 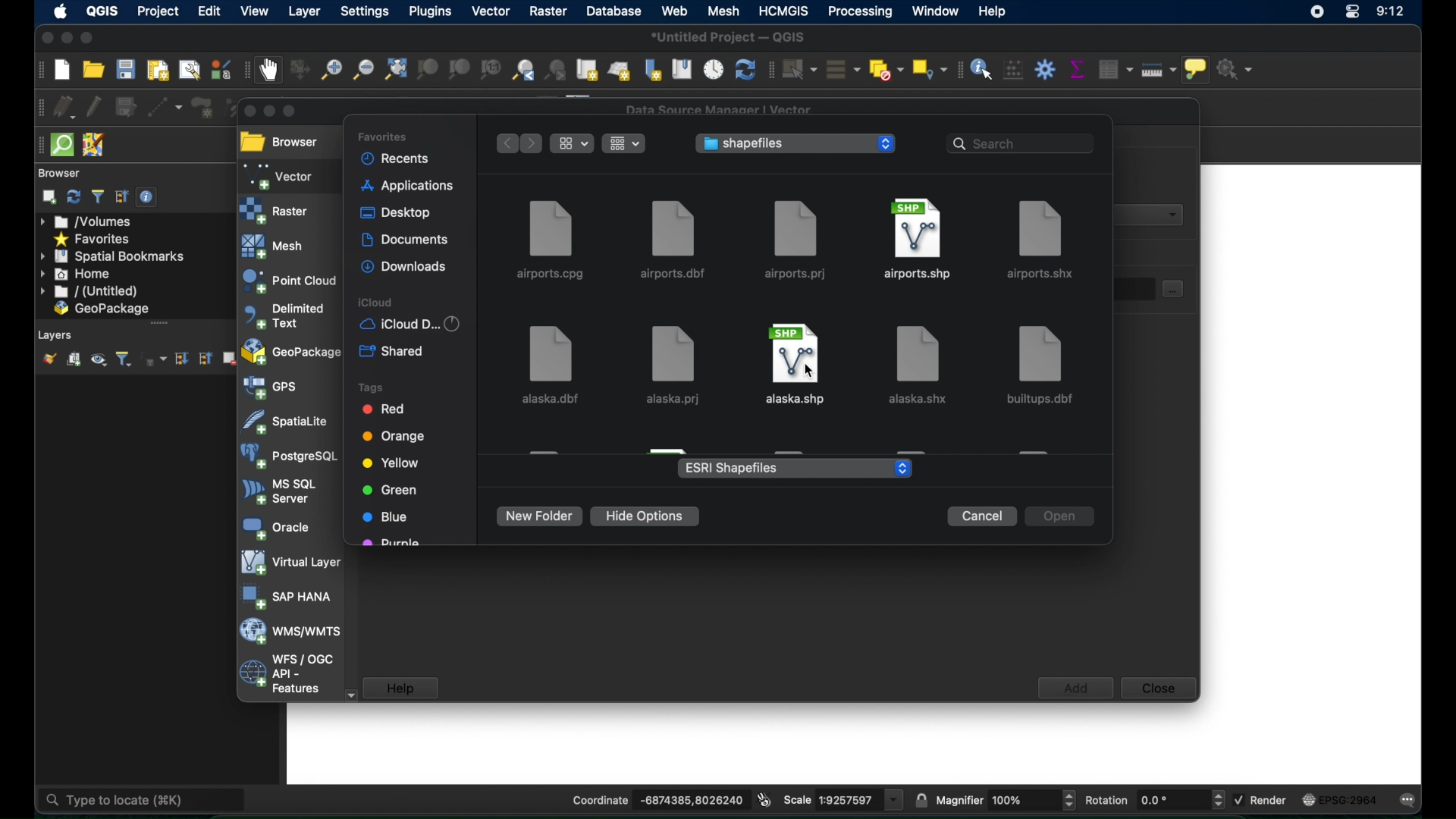 What do you see at coordinates (732, 469) in the screenshot?
I see `ESRI shapefiles` at bounding box center [732, 469].